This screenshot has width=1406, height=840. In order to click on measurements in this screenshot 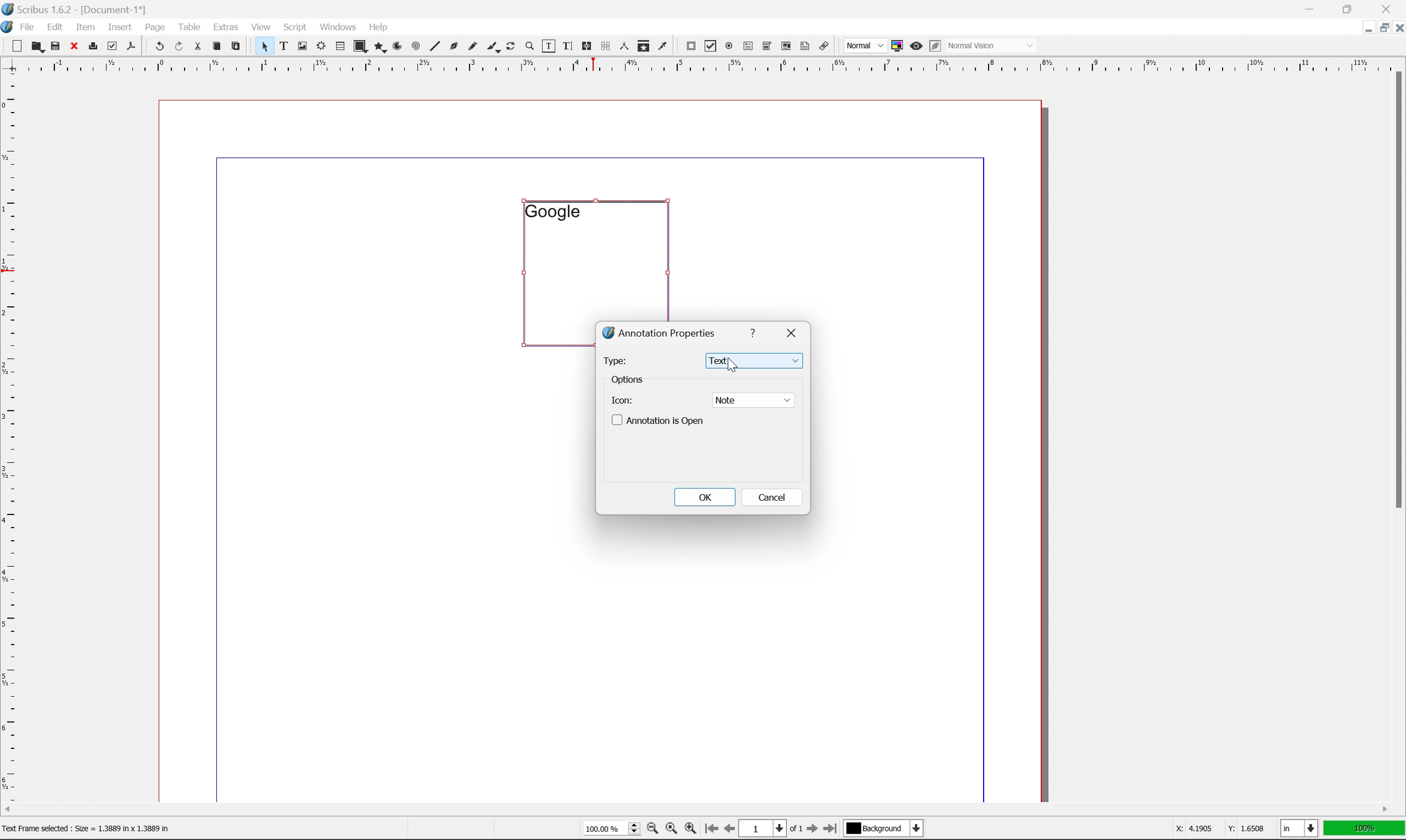, I will do `click(623, 46)`.